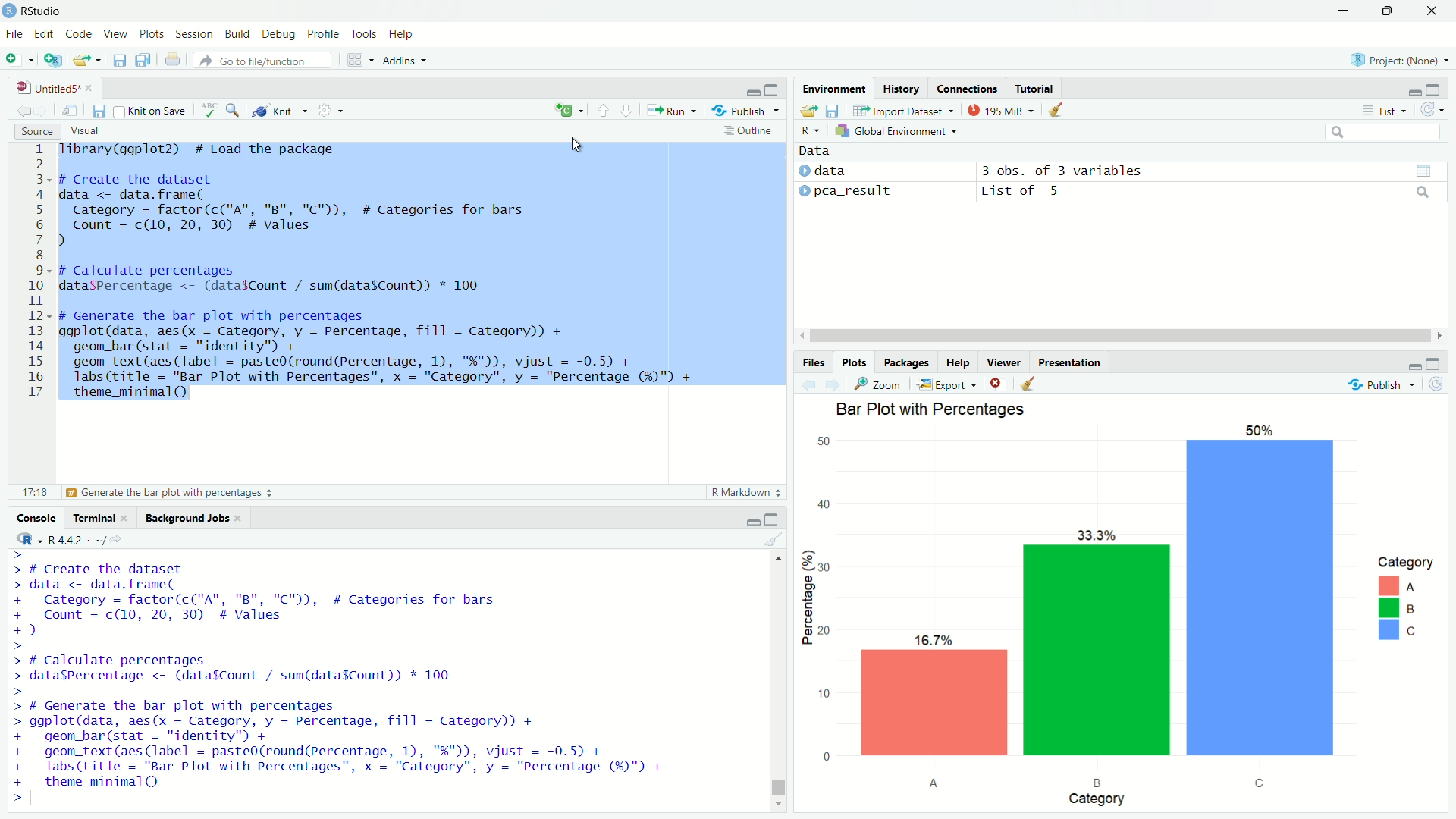  Describe the element at coordinates (403, 35) in the screenshot. I see `help` at that location.